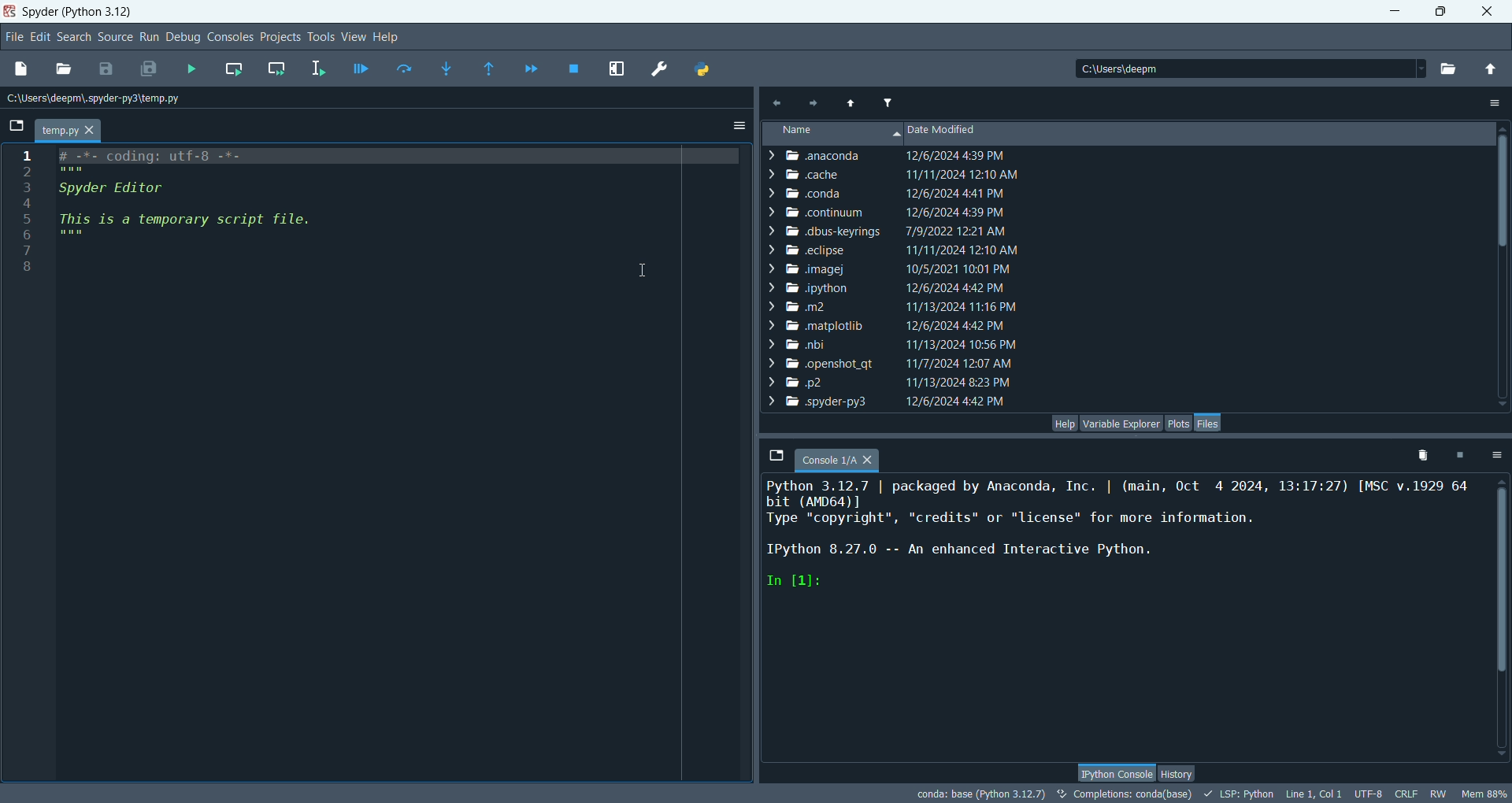  What do you see at coordinates (1462, 454) in the screenshot?
I see `interrupt kernel` at bounding box center [1462, 454].